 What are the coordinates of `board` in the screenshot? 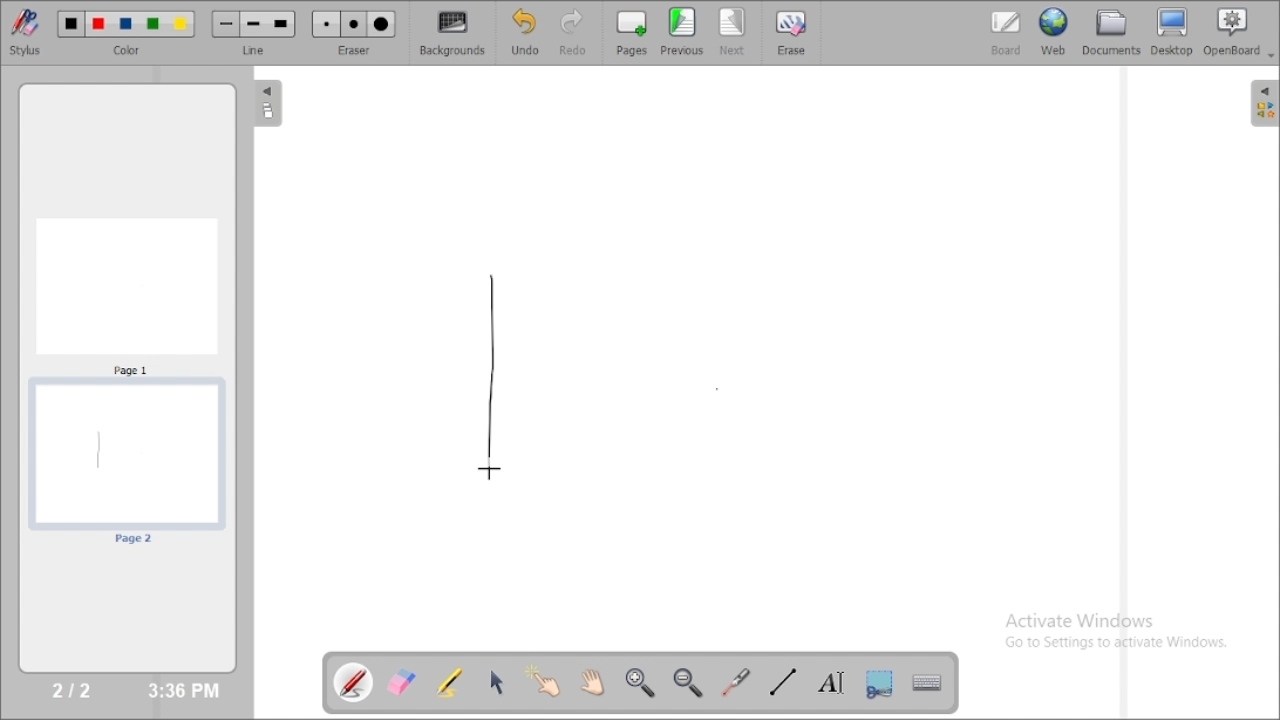 It's located at (1006, 33).